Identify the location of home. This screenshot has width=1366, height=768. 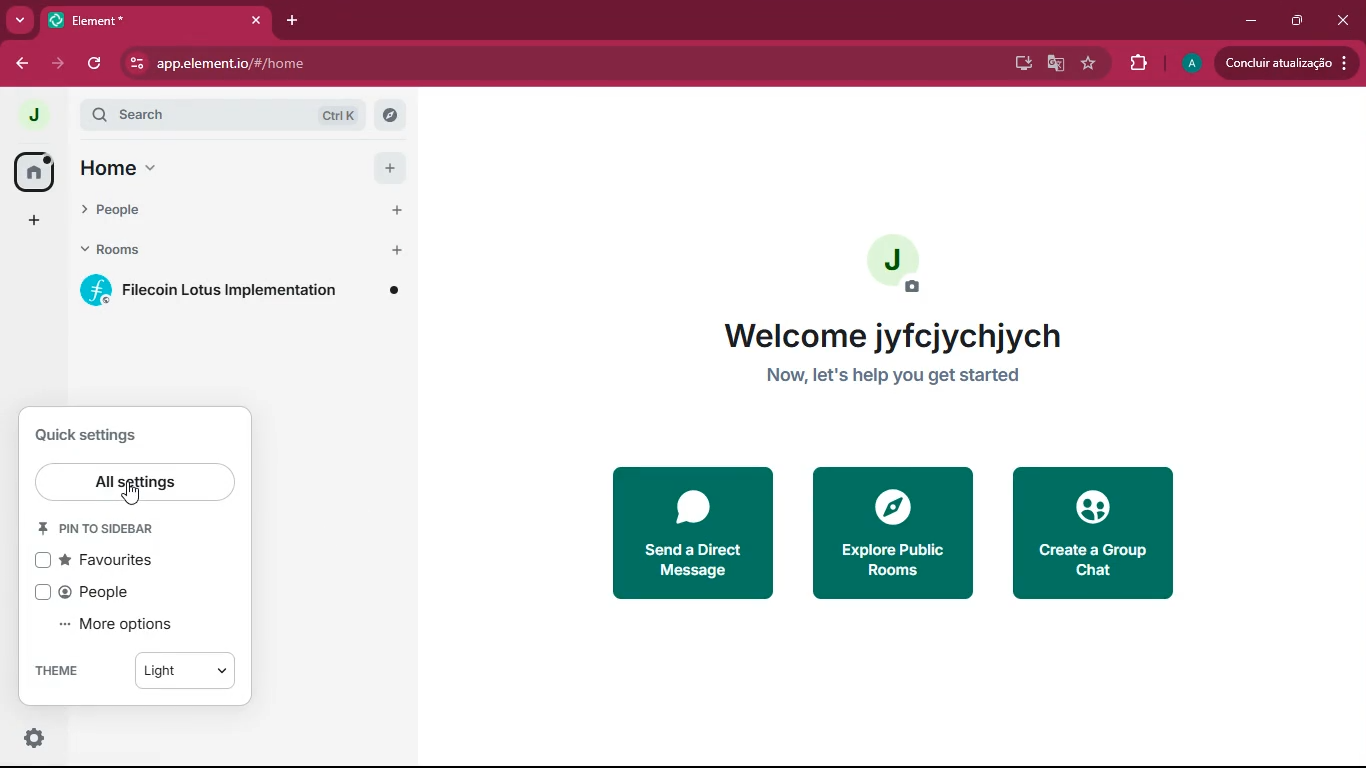
(175, 169).